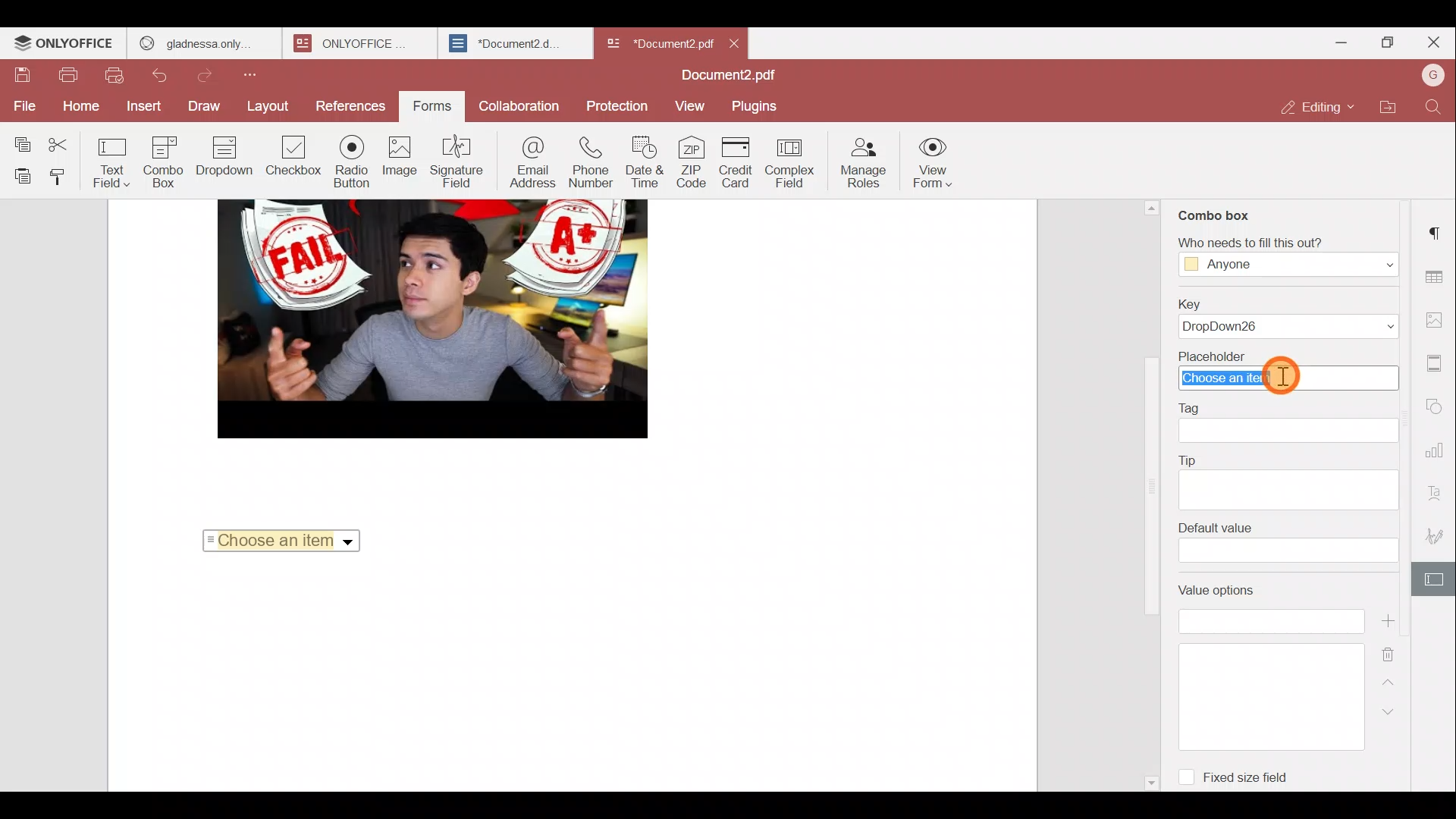 The image size is (1456, 819). I want to click on Draw, so click(206, 107).